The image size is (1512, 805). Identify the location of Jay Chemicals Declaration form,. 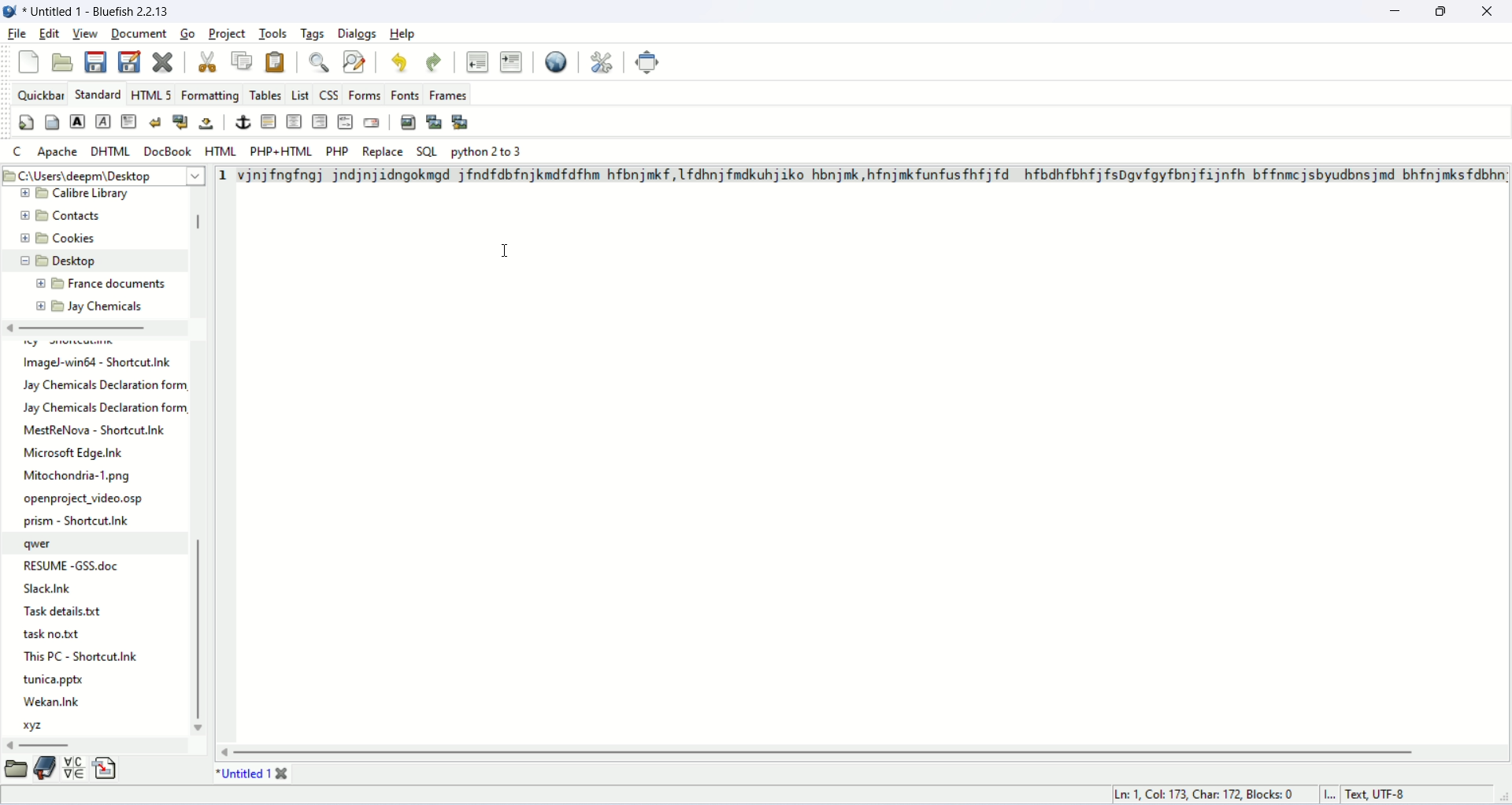
(104, 408).